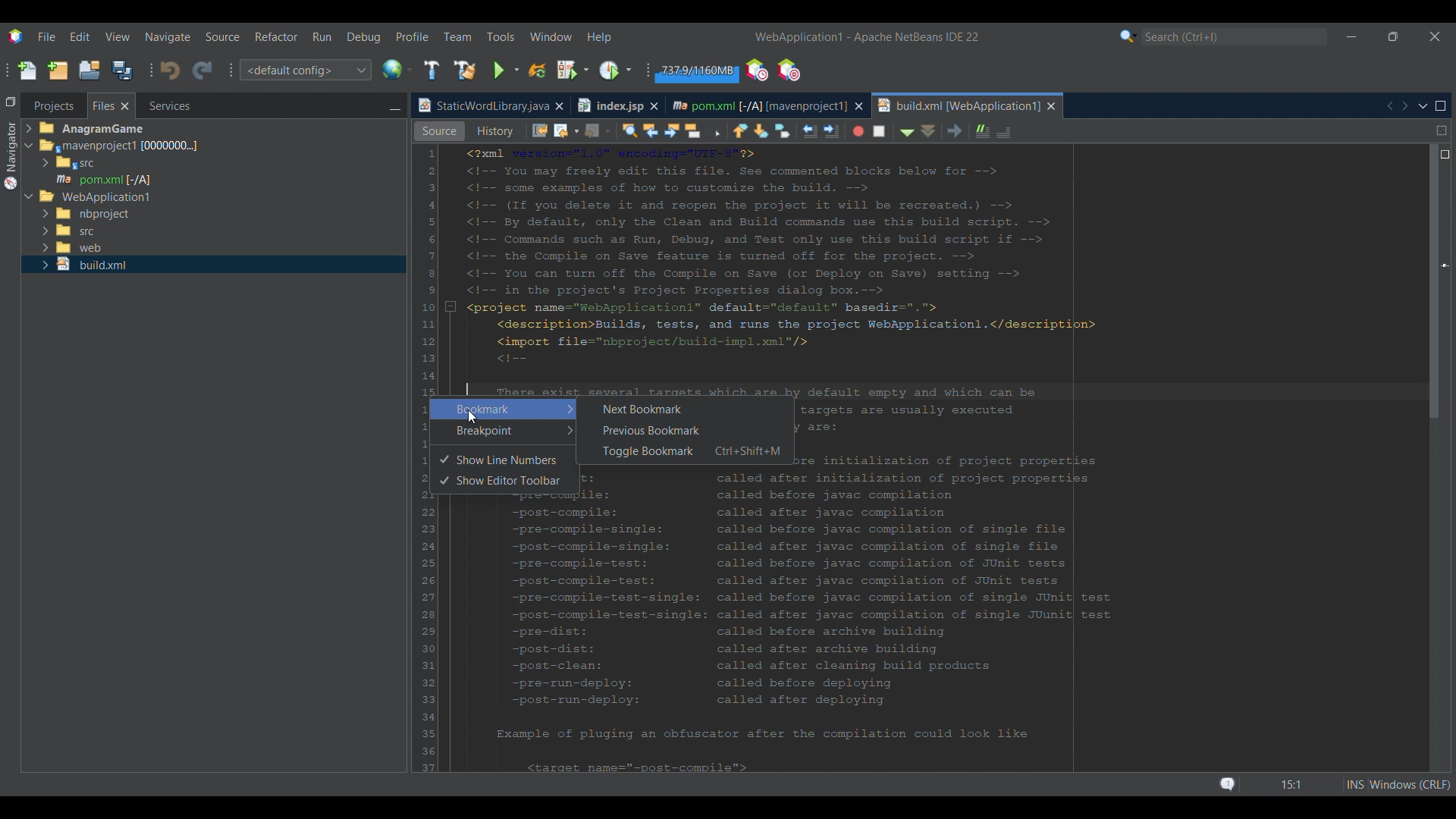 This screenshot has width=1456, height=819. I want to click on Convert to release option for strict compatibility checks, so click(431, 317).